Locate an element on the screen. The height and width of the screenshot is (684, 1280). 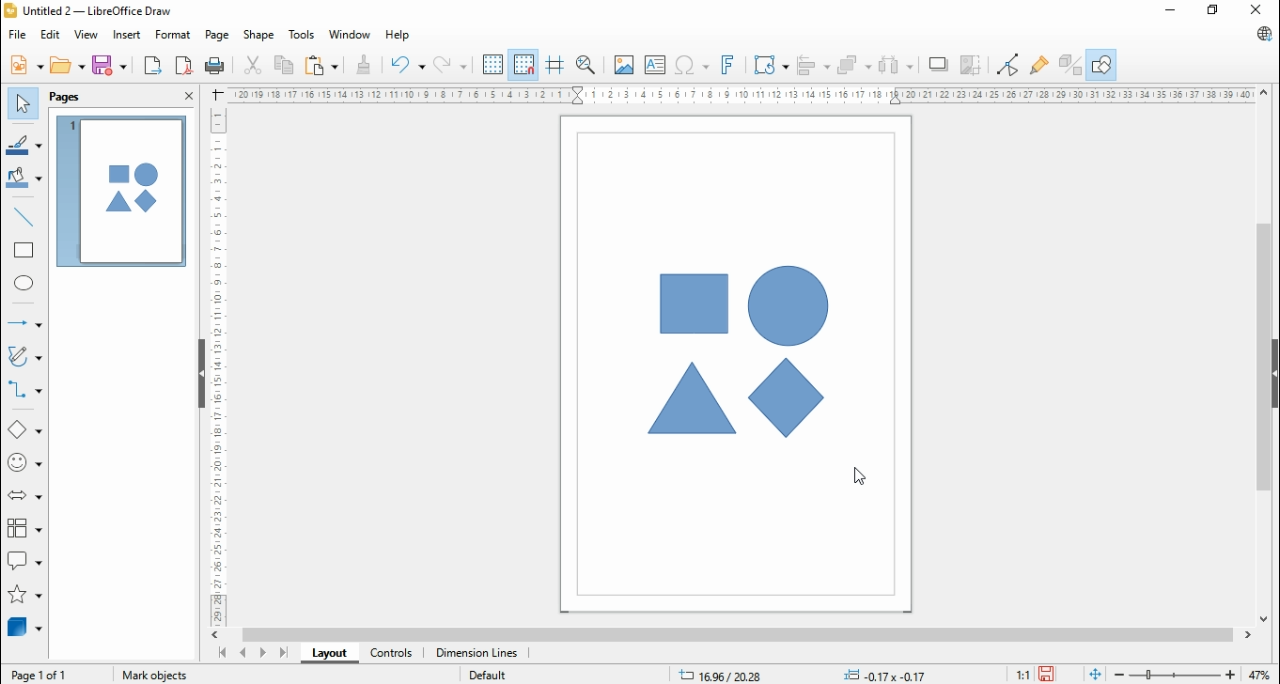
window is located at coordinates (351, 34).